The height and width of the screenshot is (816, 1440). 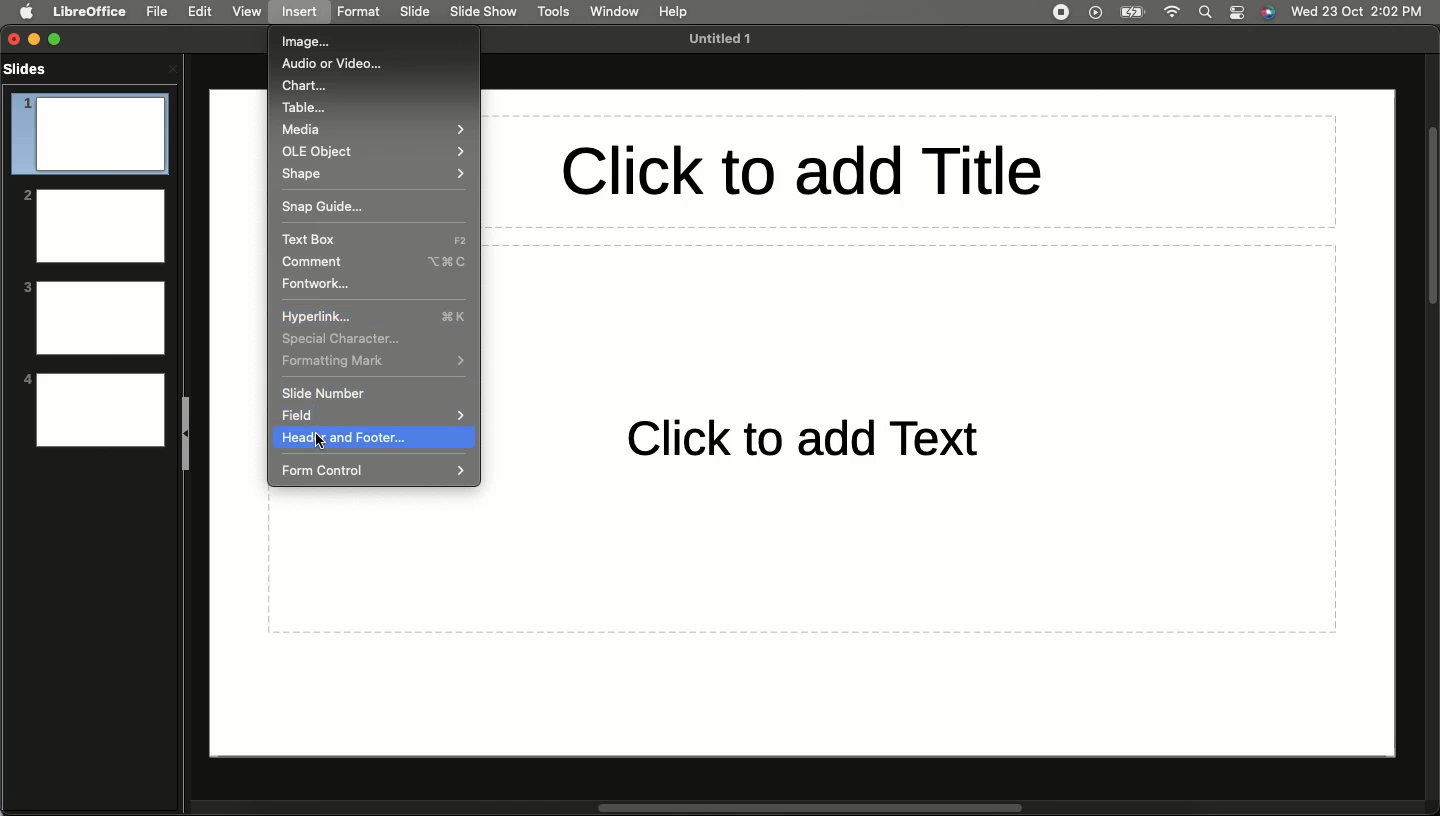 I want to click on 2, so click(x=92, y=224).